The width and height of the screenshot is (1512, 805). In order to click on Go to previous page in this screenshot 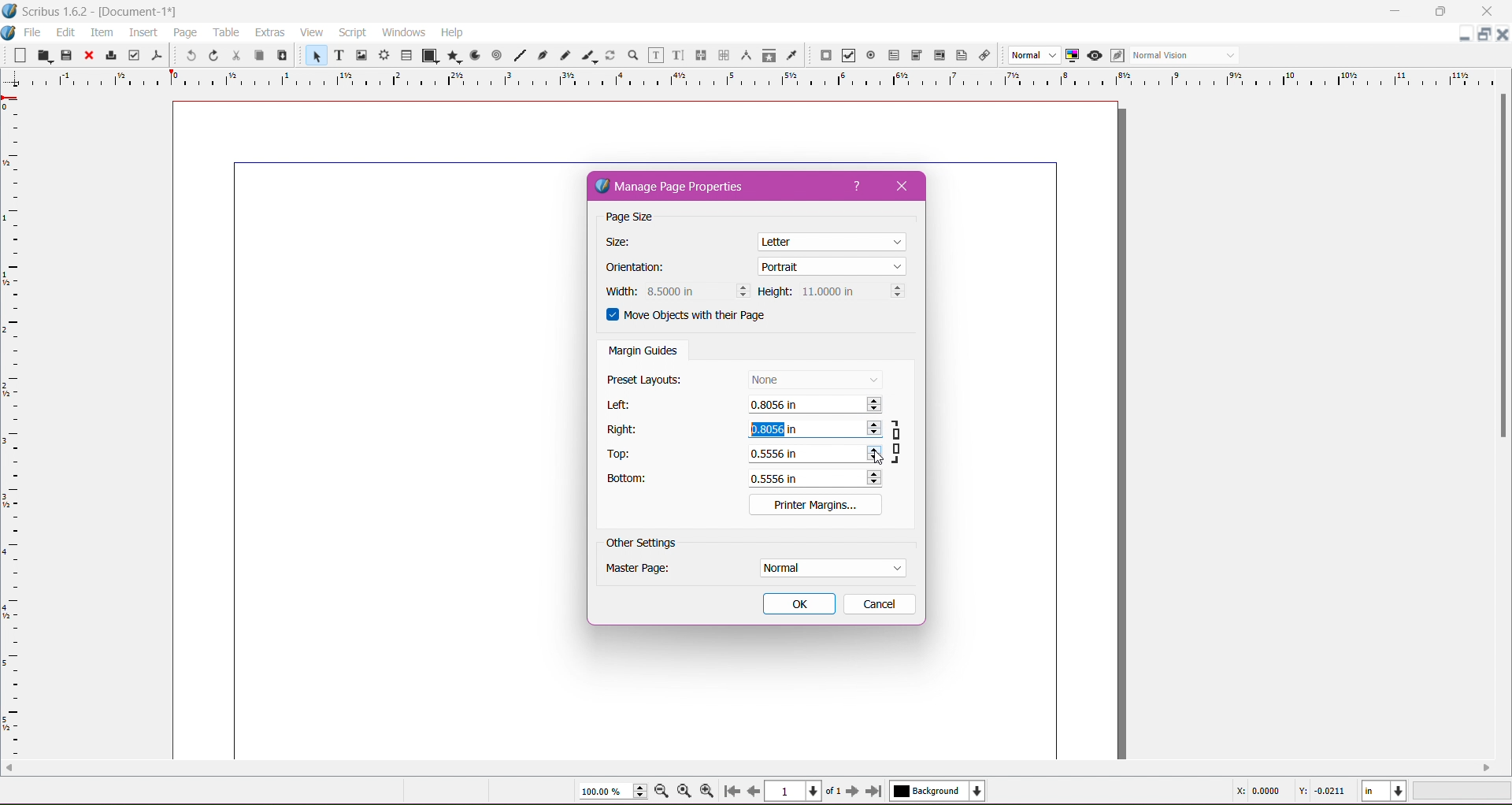, I will do `click(754, 791)`.